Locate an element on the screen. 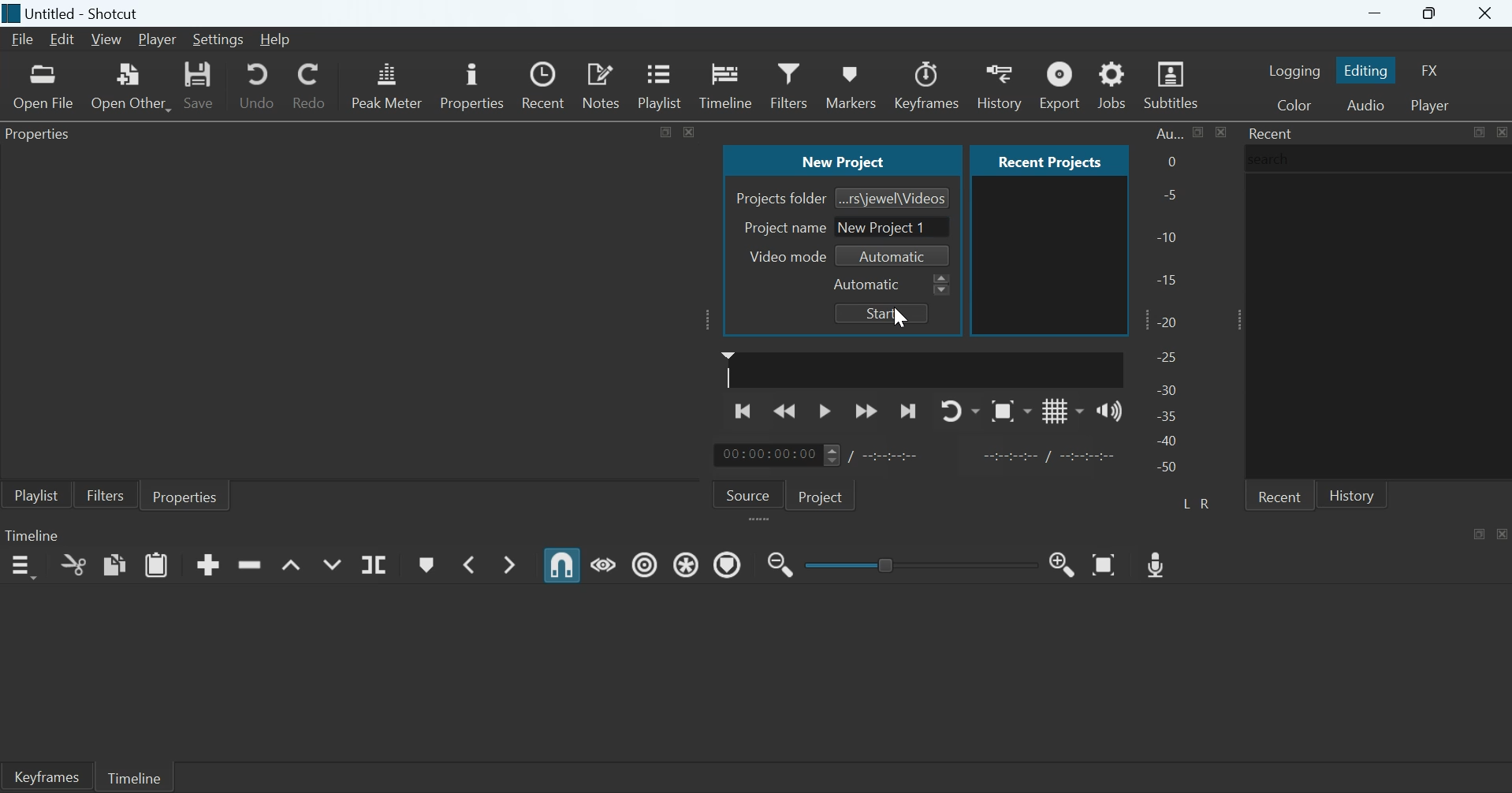  Recent projects is located at coordinates (1049, 160).